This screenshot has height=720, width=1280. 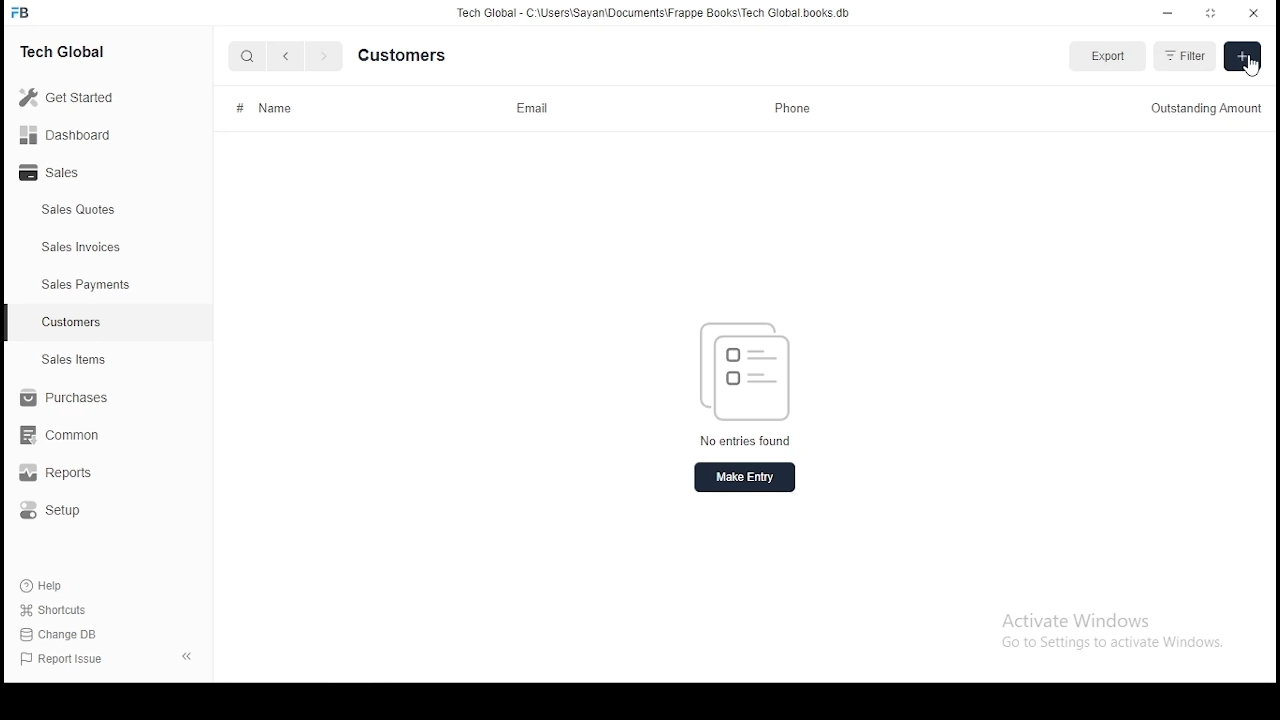 What do you see at coordinates (65, 660) in the screenshot?
I see `Report issue` at bounding box center [65, 660].